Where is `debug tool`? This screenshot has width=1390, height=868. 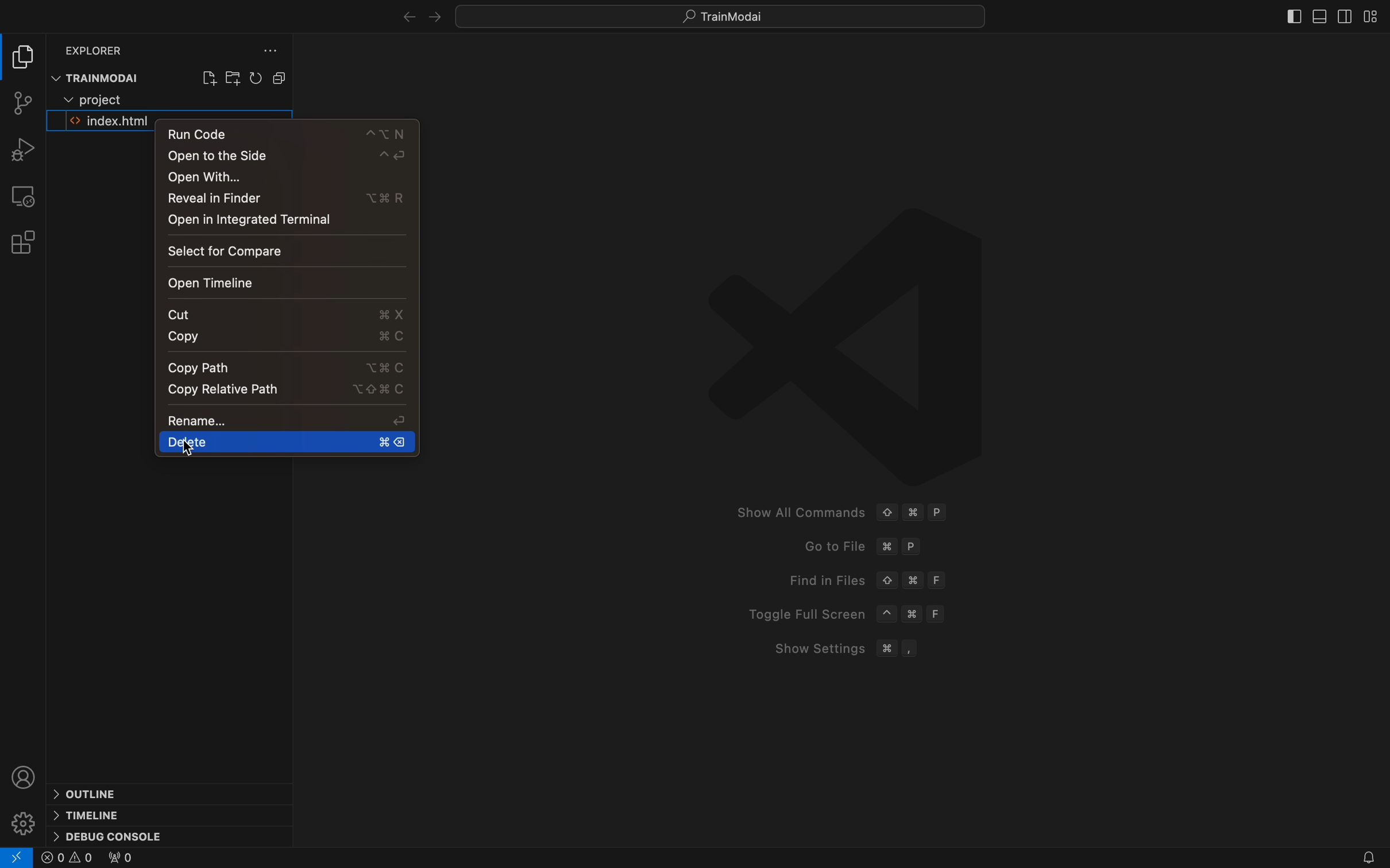 debug tool is located at coordinates (25, 150).